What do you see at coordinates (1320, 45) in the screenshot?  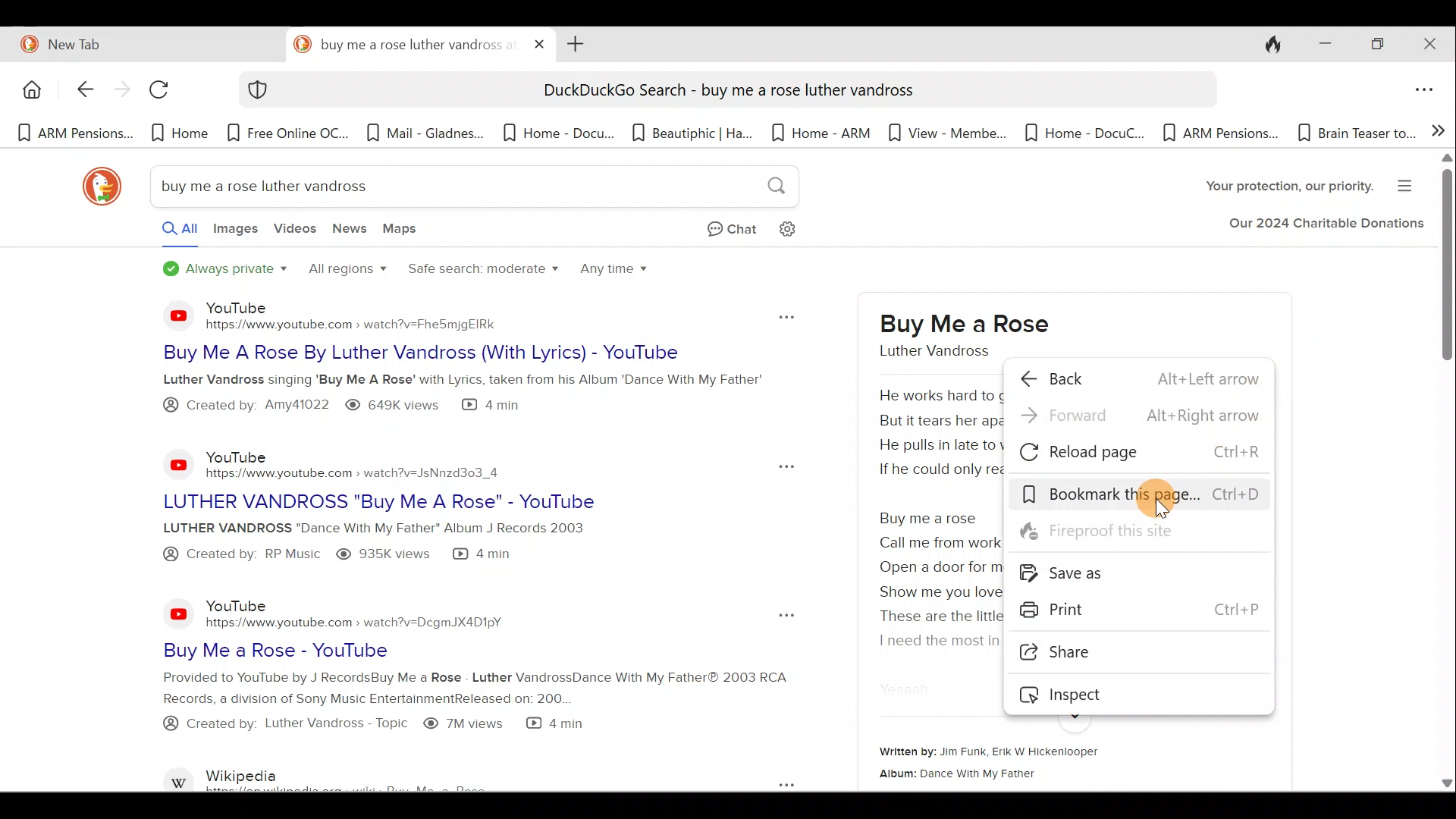 I see `Minimize` at bounding box center [1320, 45].